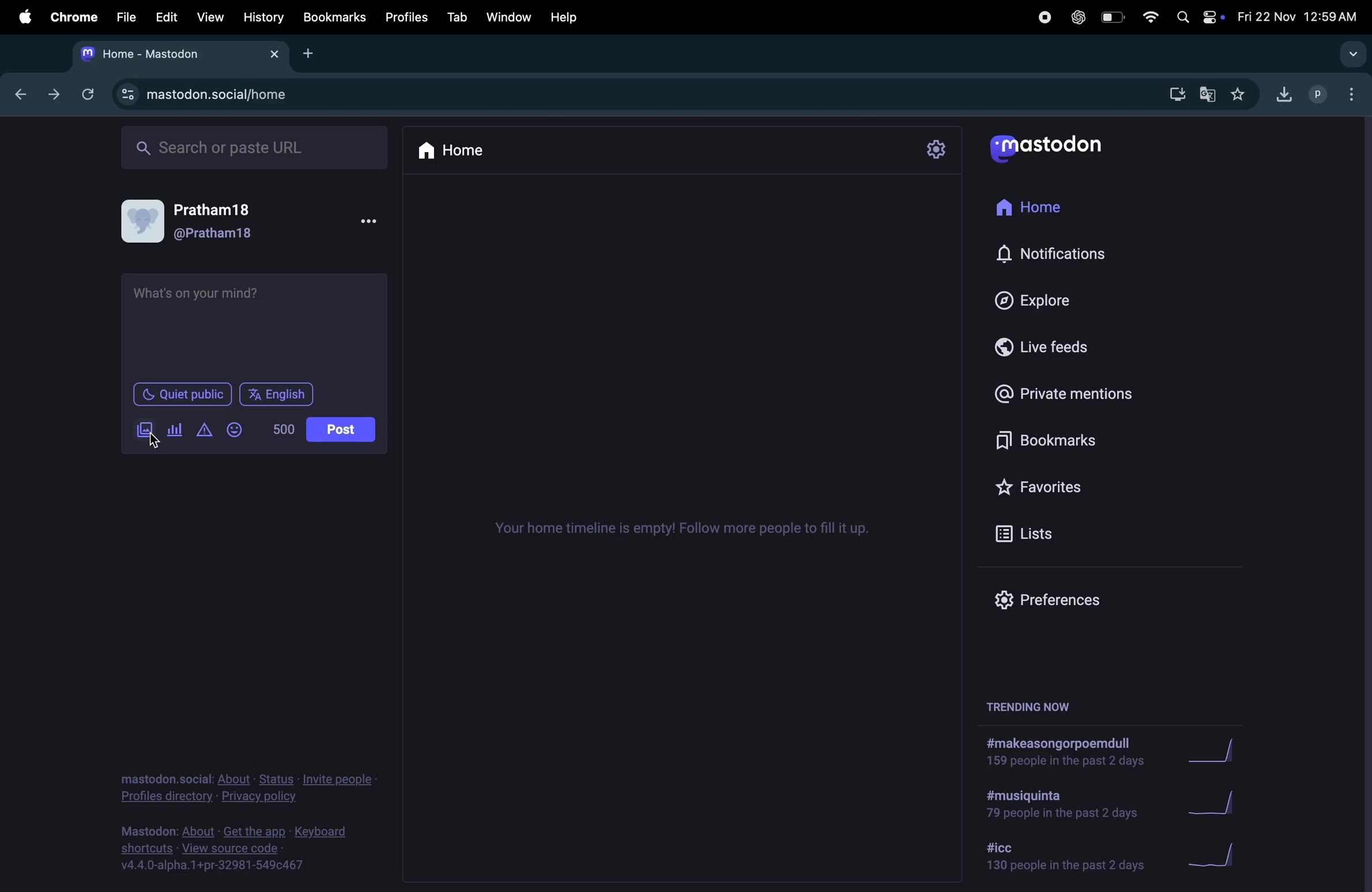 This screenshot has width=1372, height=892. Describe the element at coordinates (337, 780) in the screenshot. I see `invite people` at that location.